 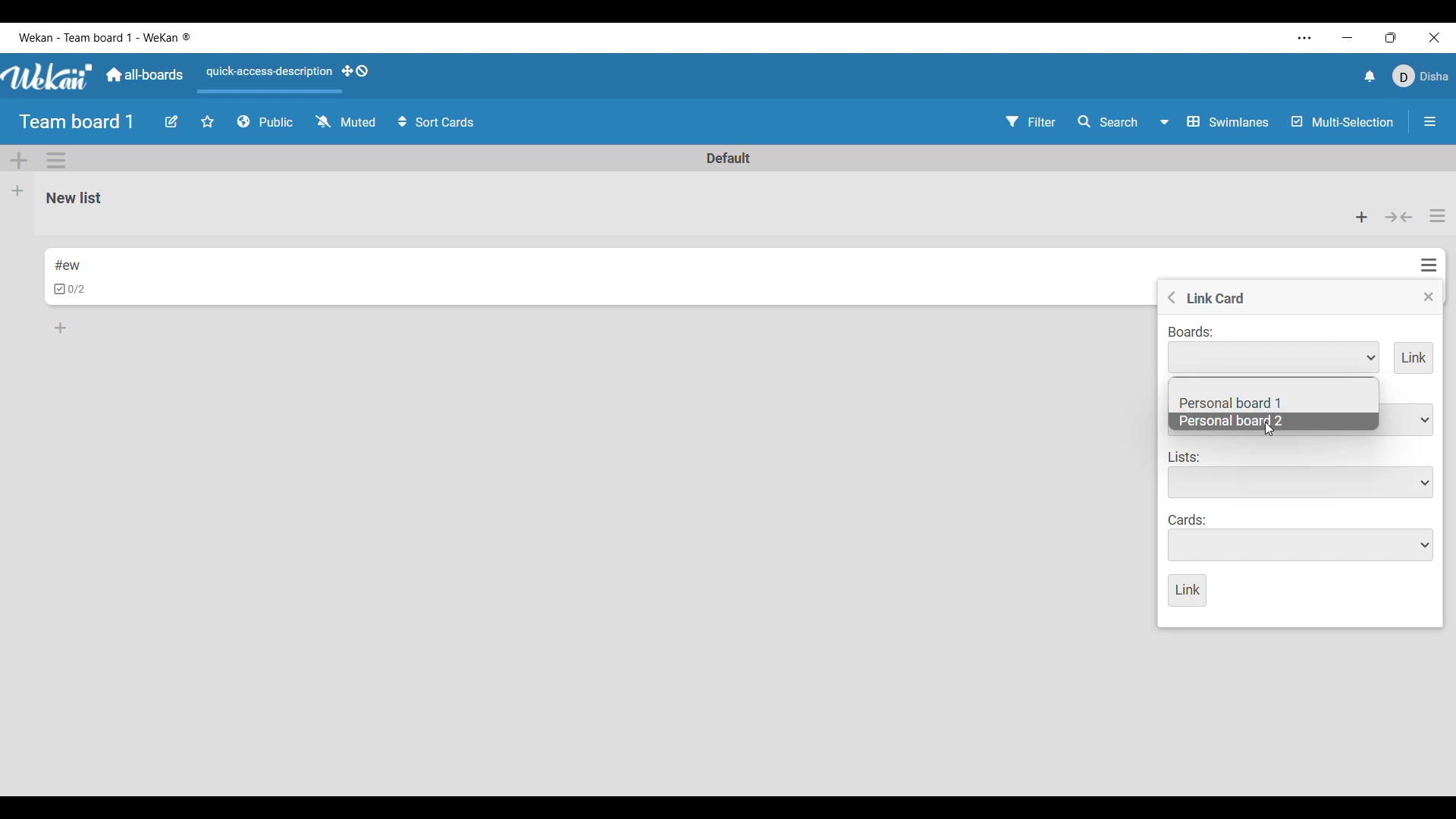 I want to click on Indicates list options, so click(x=1185, y=457).